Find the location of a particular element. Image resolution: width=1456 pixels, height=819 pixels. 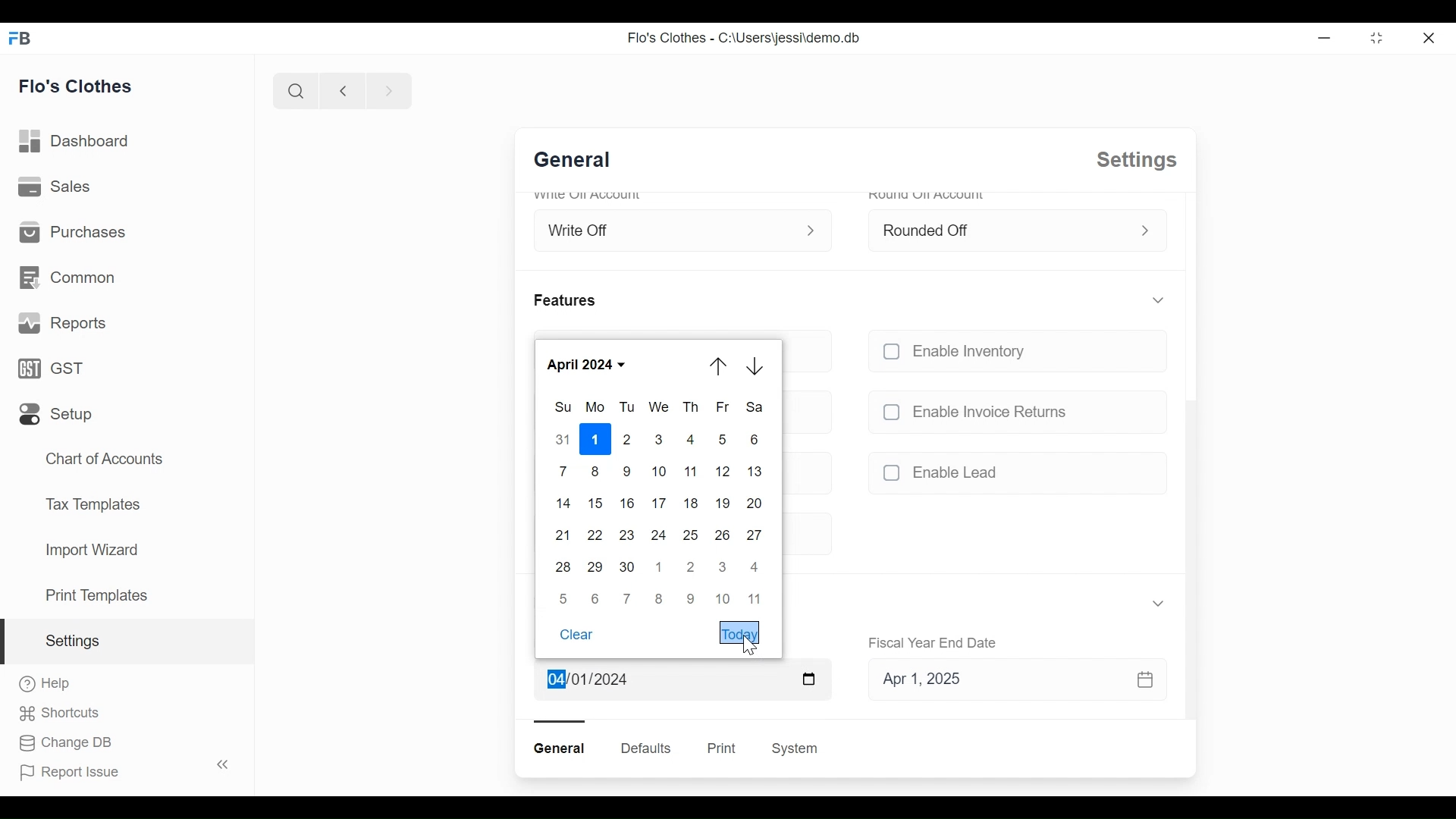

Minimize is located at coordinates (1322, 37).